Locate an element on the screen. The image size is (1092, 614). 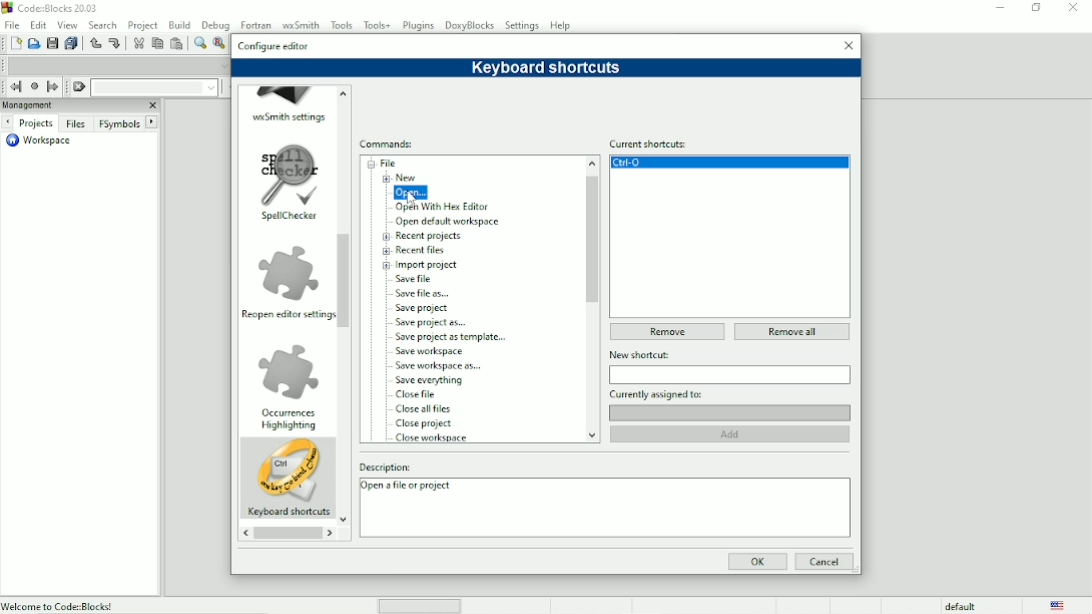
Open is located at coordinates (414, 194).